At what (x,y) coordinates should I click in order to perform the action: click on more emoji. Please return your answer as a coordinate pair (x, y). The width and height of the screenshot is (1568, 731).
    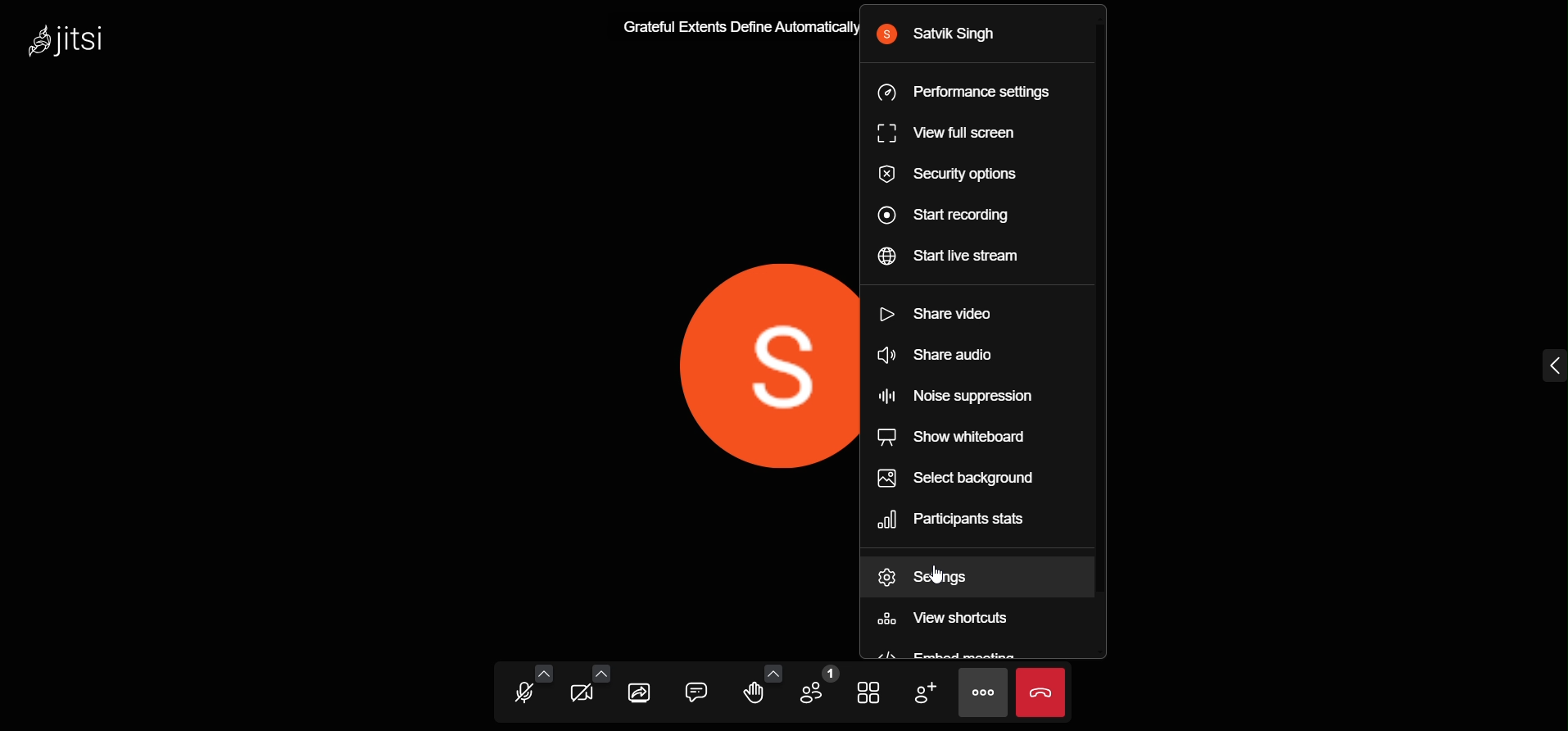
    Looking at the image, I should click on (770, 670).